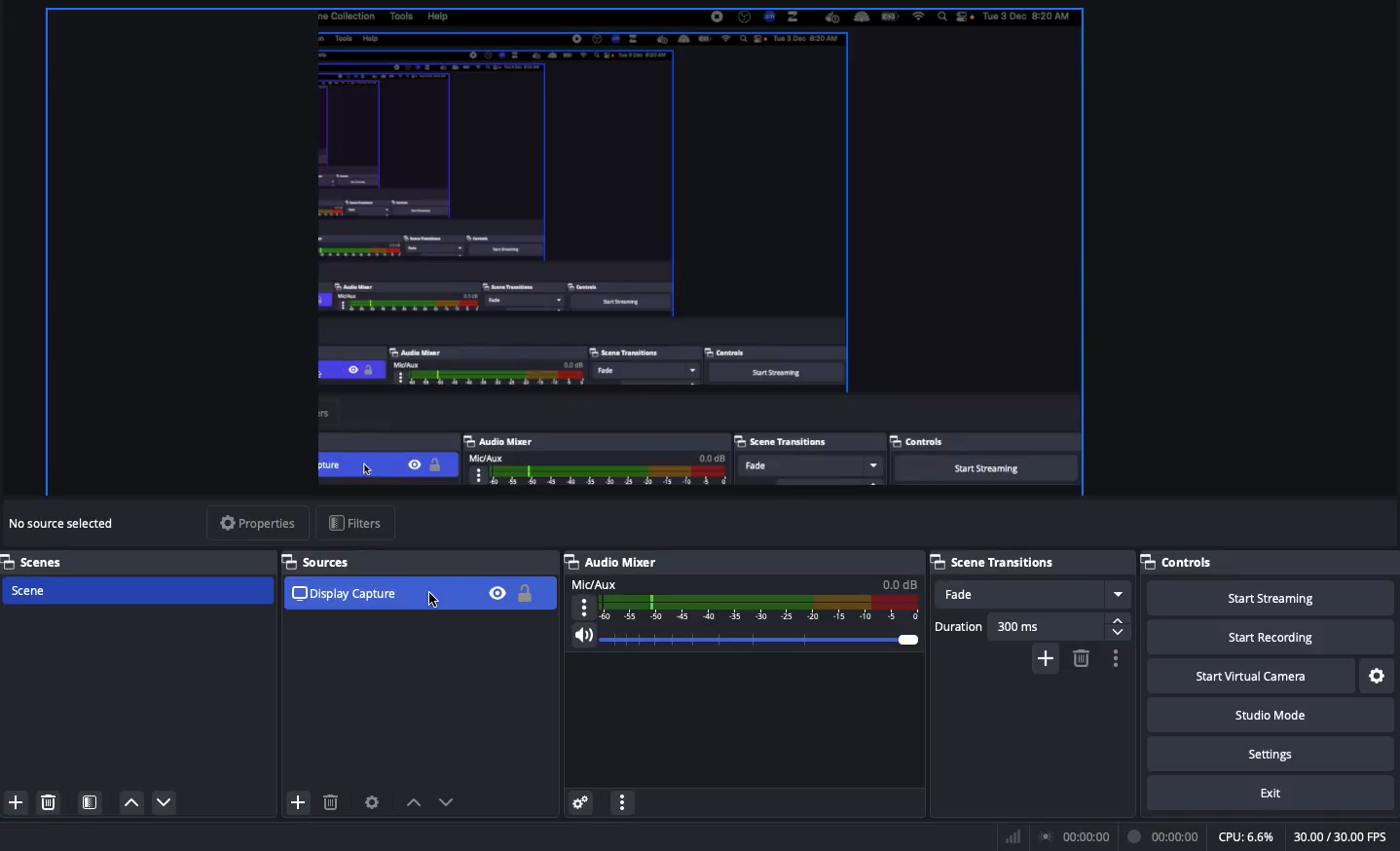 This screenshot has height=851, width=1400. What do you see at coordinates (414, 803) in the screenshot?
I see `move up` at bounding box center [414, 803].